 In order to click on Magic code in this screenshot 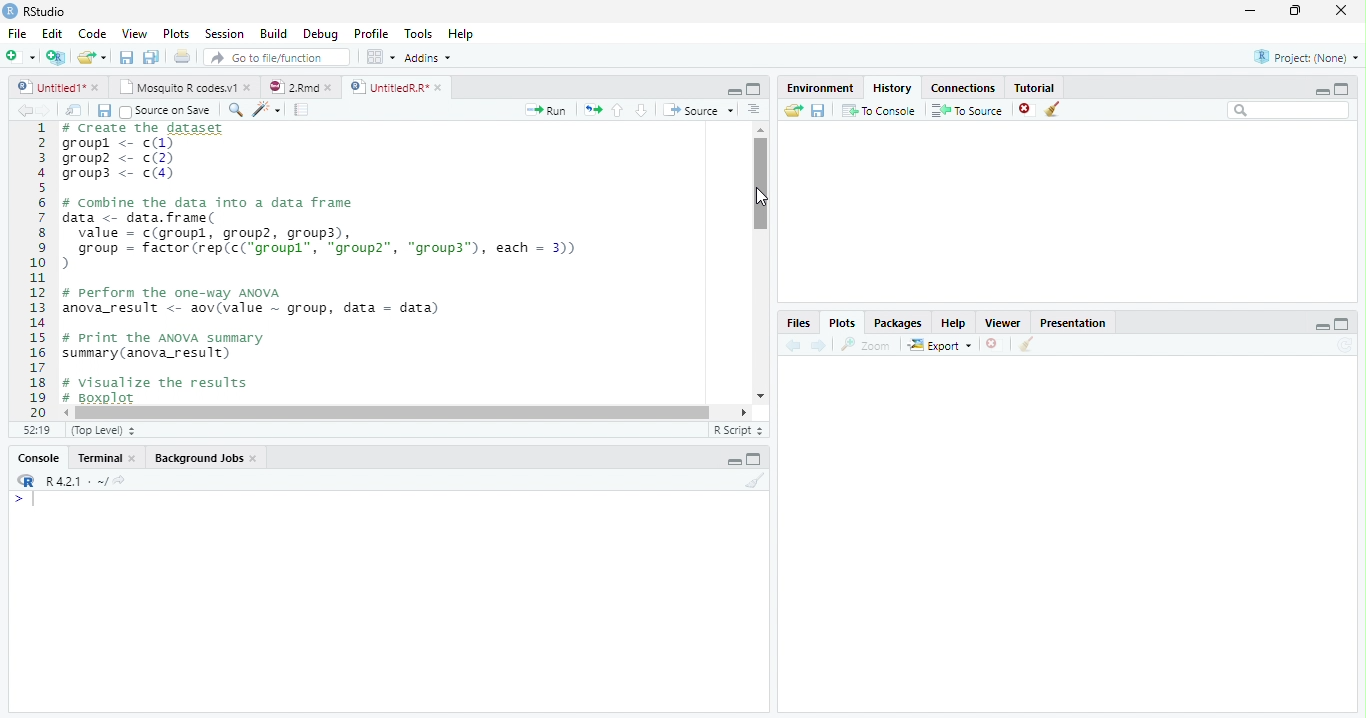, I will do `click(267, 111)`.